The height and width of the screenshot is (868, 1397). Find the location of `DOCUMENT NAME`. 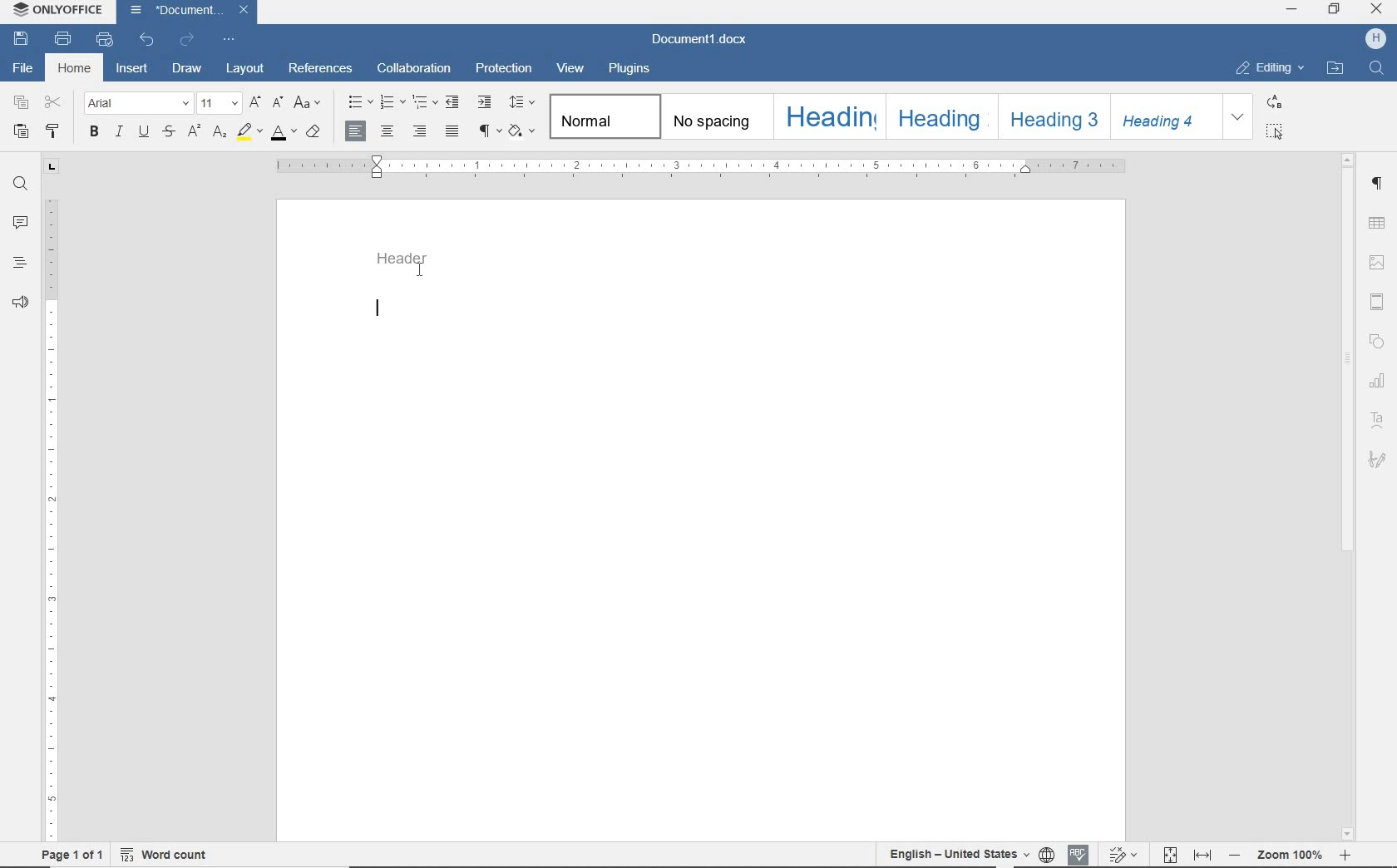

DOCUMENT NAME is located at coordinates (699, 41).